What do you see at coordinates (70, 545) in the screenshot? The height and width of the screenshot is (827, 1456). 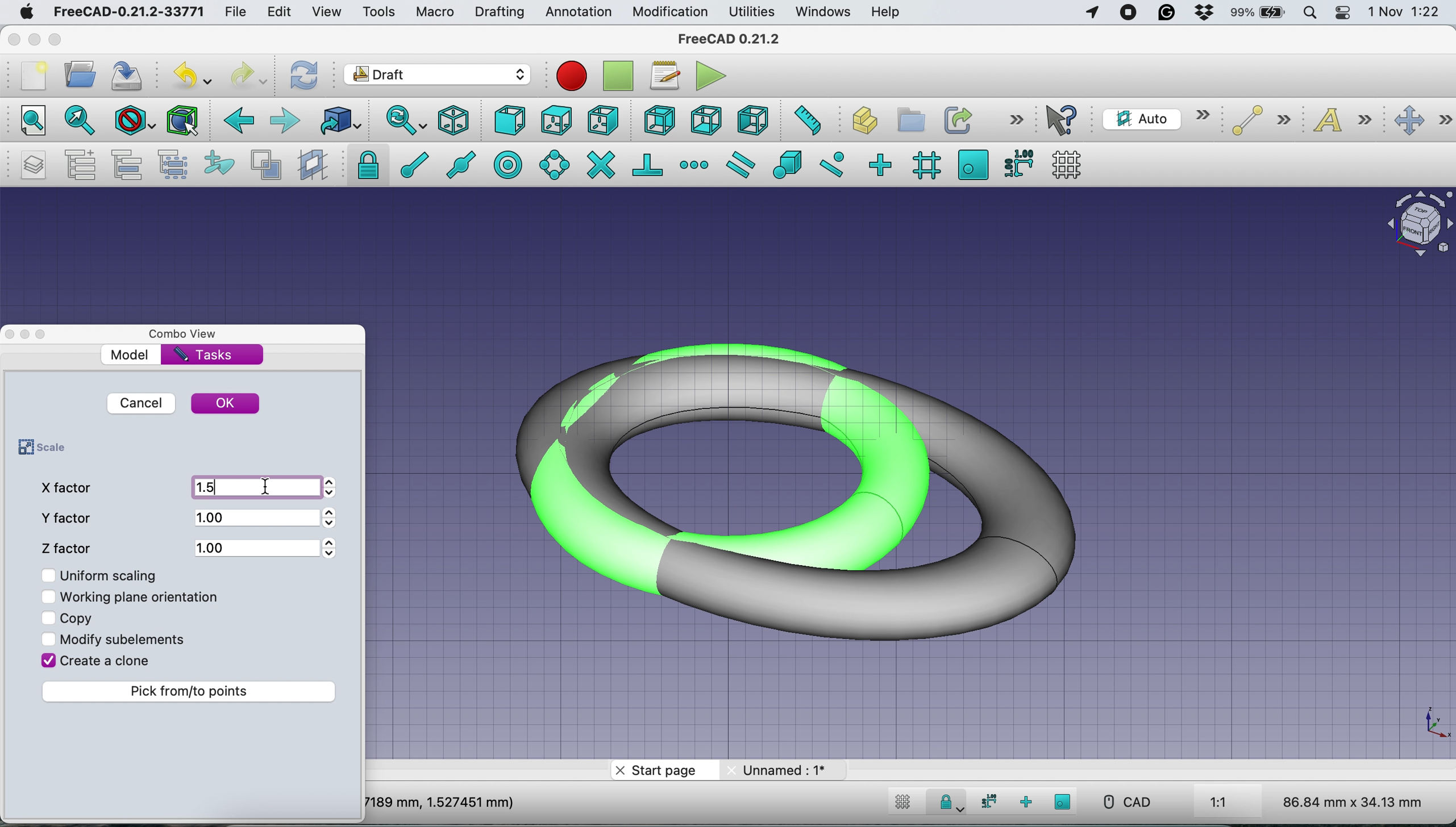 I see `z factor` at bounding box center [70, 545].